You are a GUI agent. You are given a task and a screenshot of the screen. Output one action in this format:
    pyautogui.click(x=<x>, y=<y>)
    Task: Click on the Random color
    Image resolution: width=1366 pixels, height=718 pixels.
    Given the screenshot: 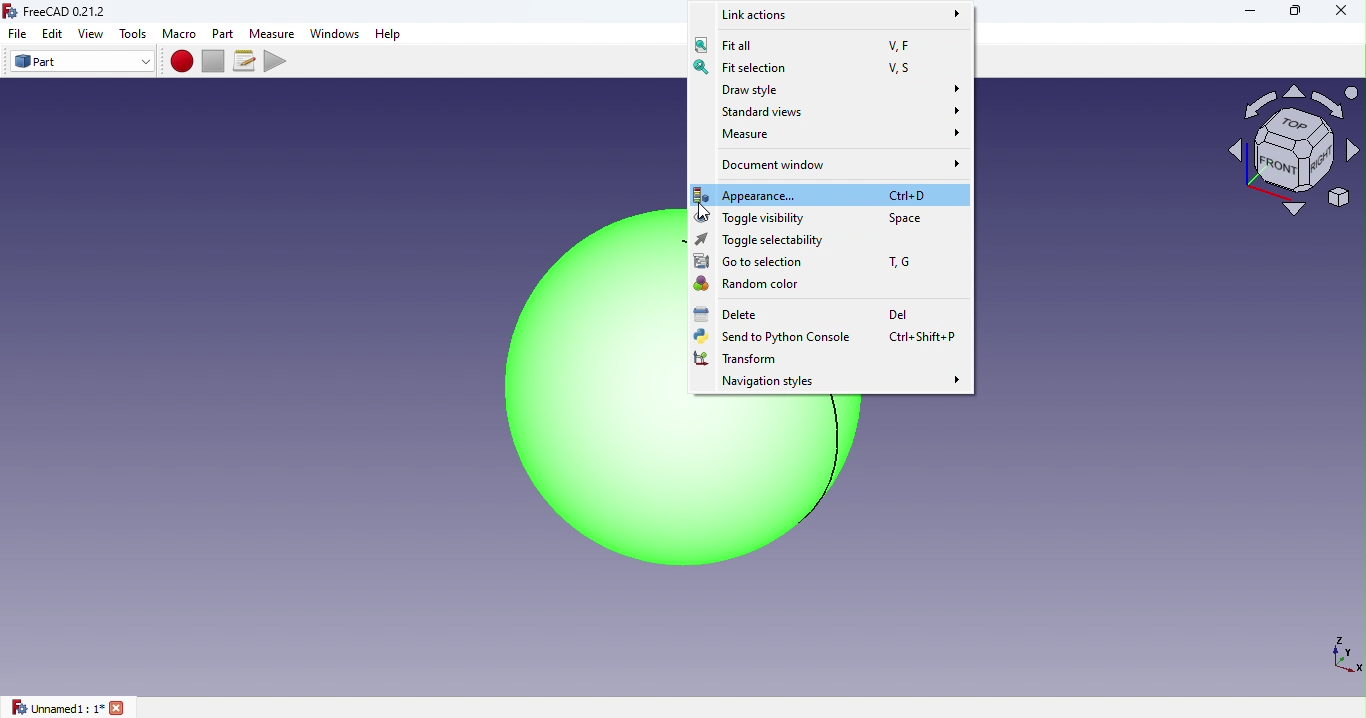 What is the action you would take?
    pyautogui.click(x=760, y=287)
    